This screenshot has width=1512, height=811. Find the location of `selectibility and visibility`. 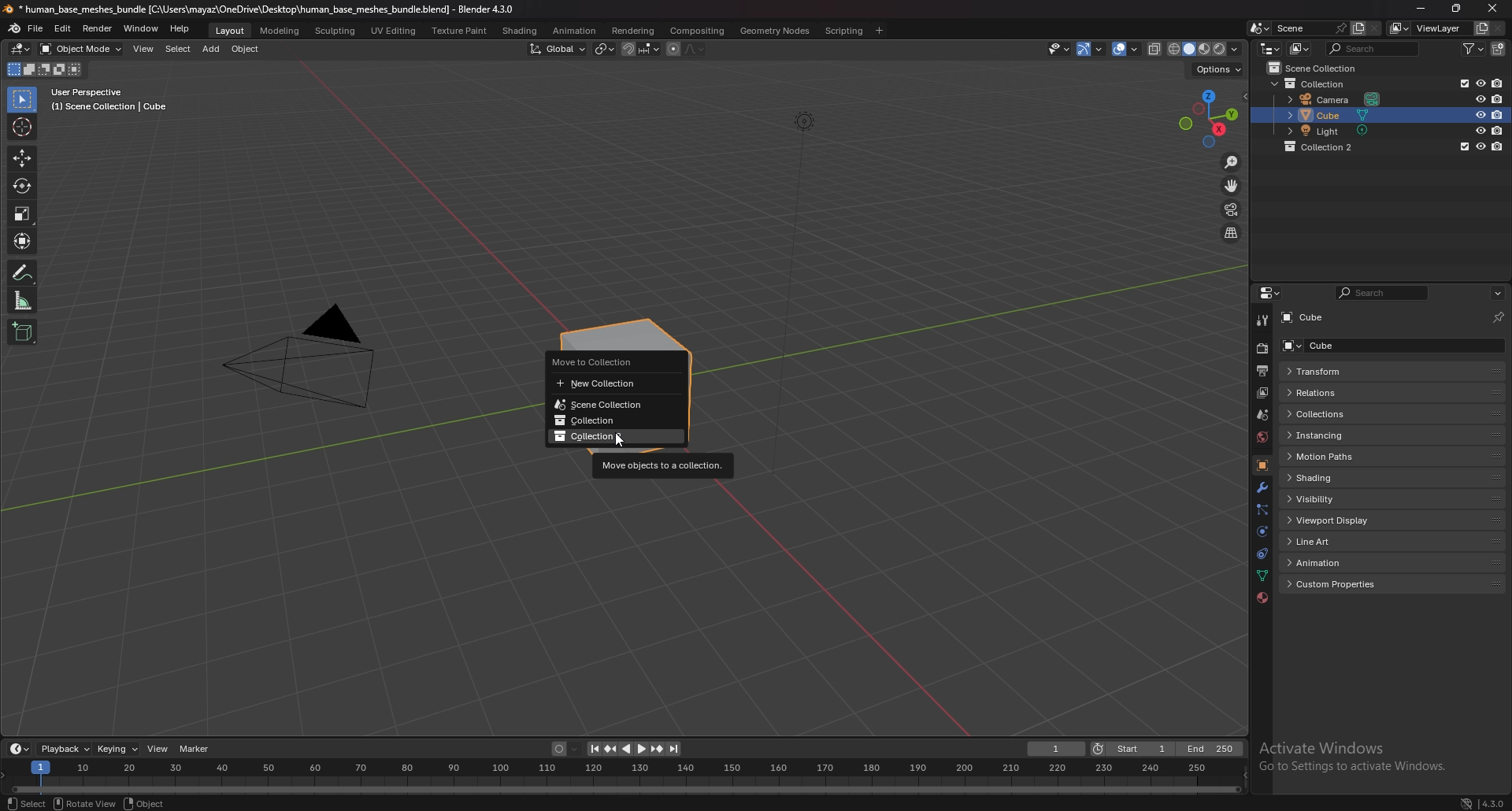

selectibility and visibility is located at coordinates (1060, 49).